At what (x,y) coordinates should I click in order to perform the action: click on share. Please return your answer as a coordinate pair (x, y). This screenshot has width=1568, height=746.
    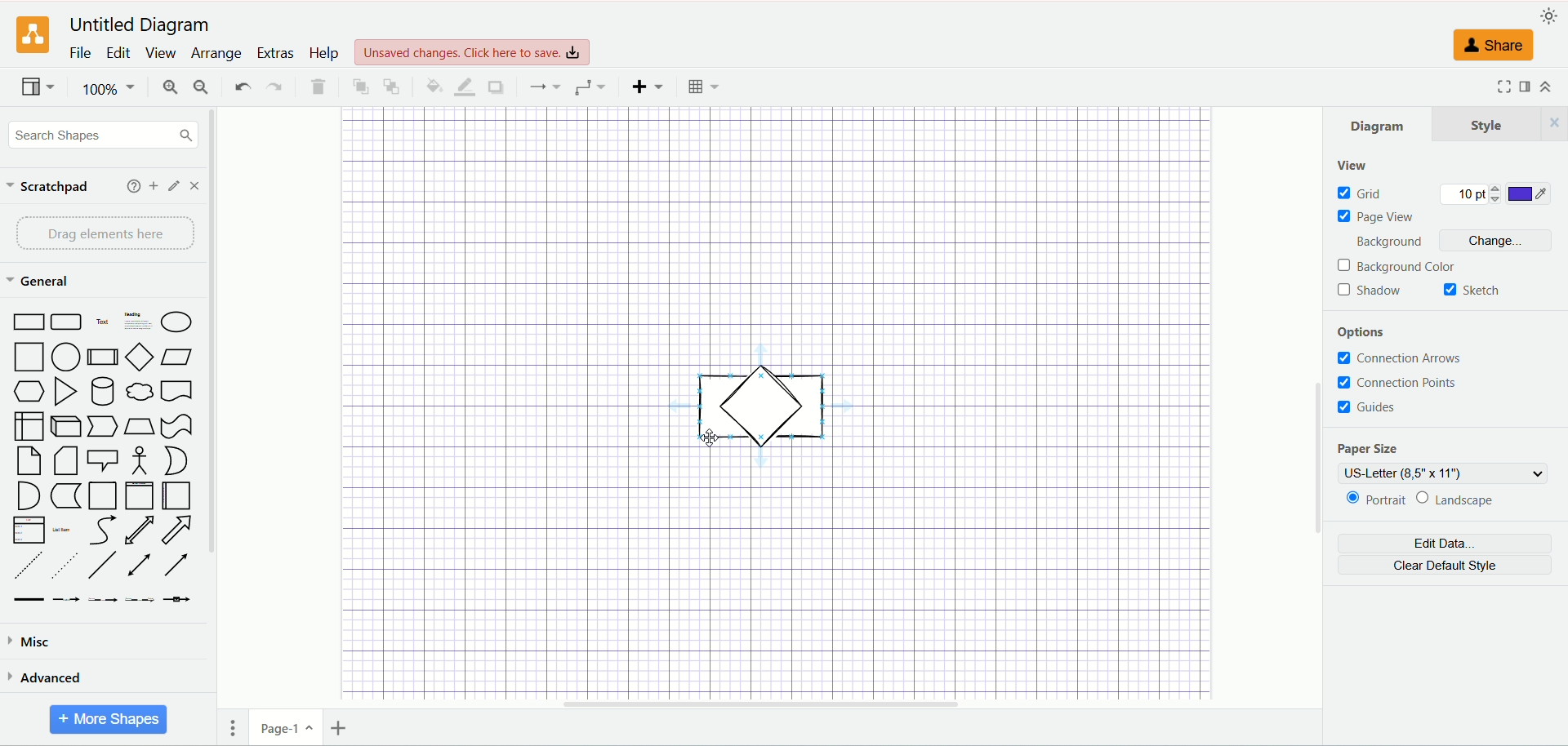
    Looking at the image, I should click on (1492, 45).